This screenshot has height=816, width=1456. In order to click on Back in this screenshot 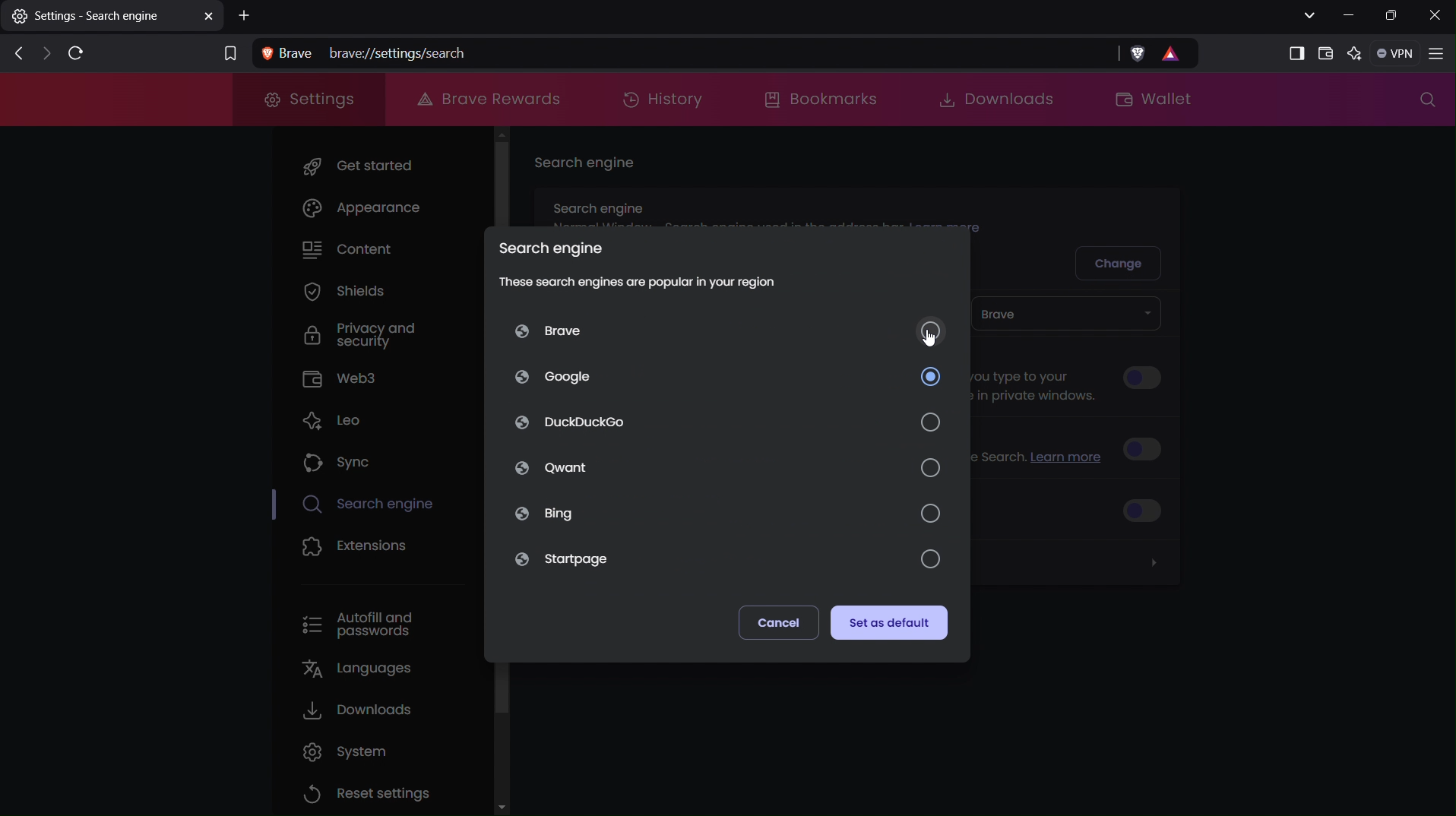, I will do `click(14, 54)`.